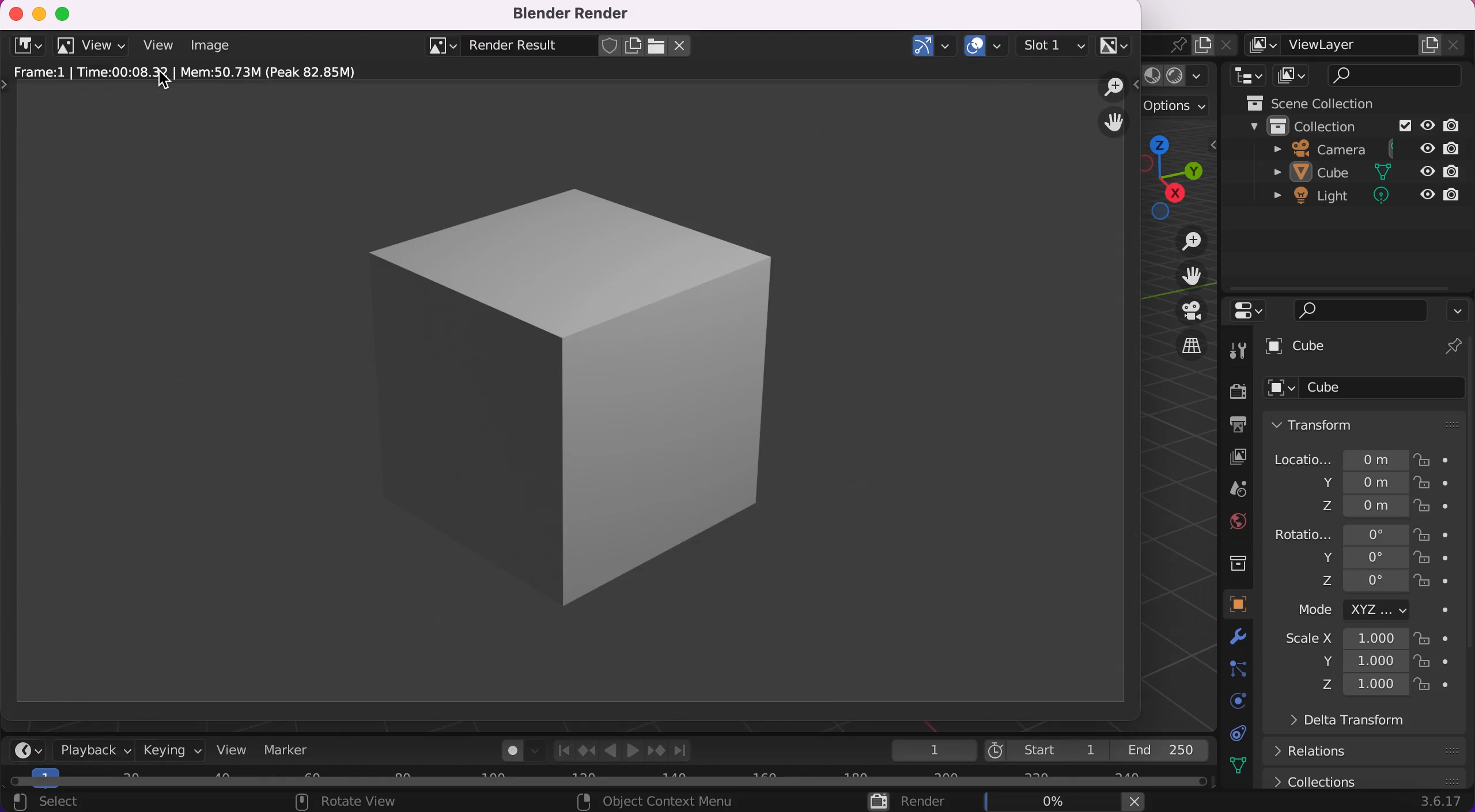 The width and height of the screenshot is (1475, 812). Describe the element at coordinates (1368, 426) in the screenshot. I see `transform` at that location.